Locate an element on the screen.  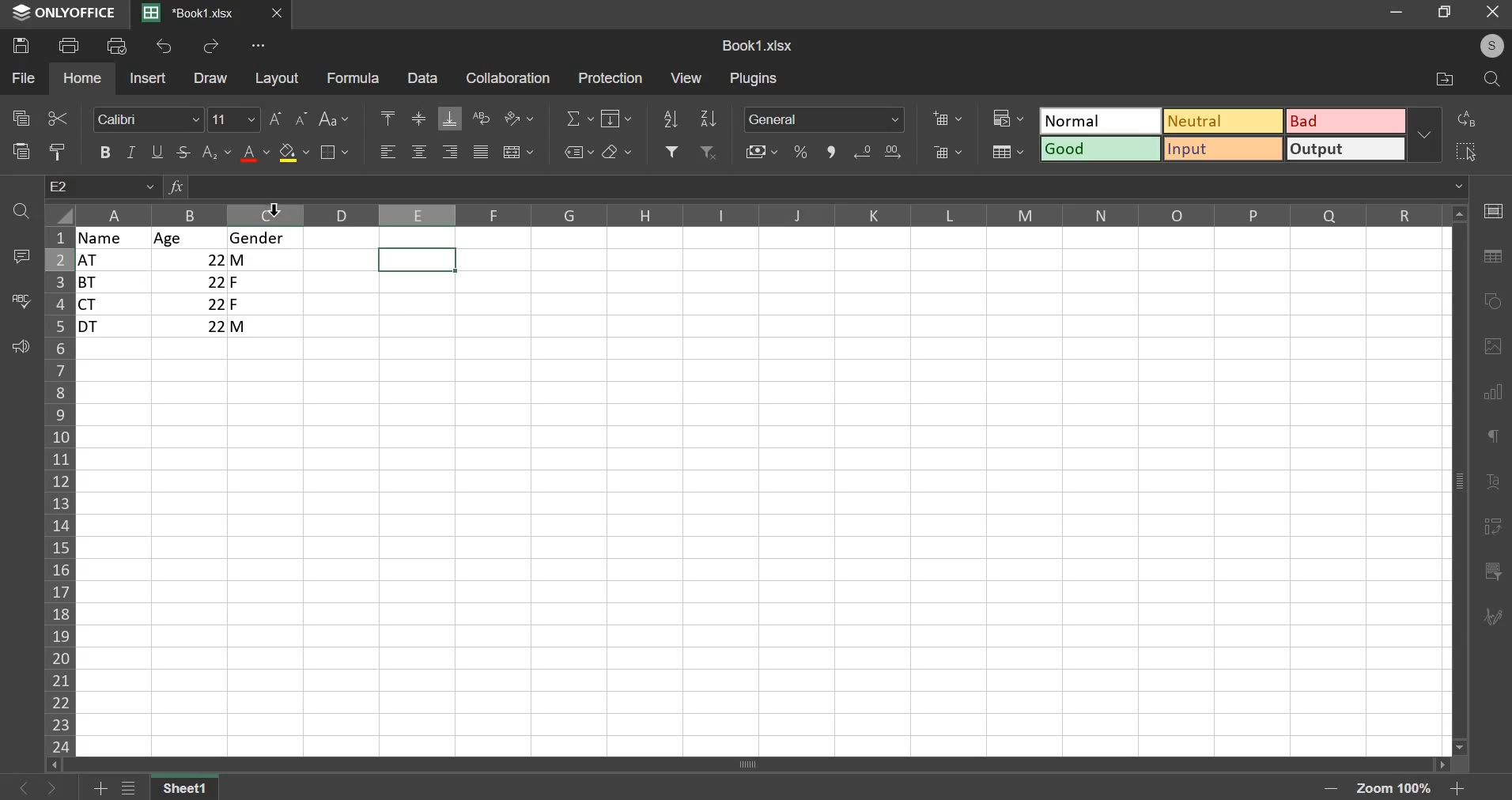
change case is located at coordinates (337, 119).